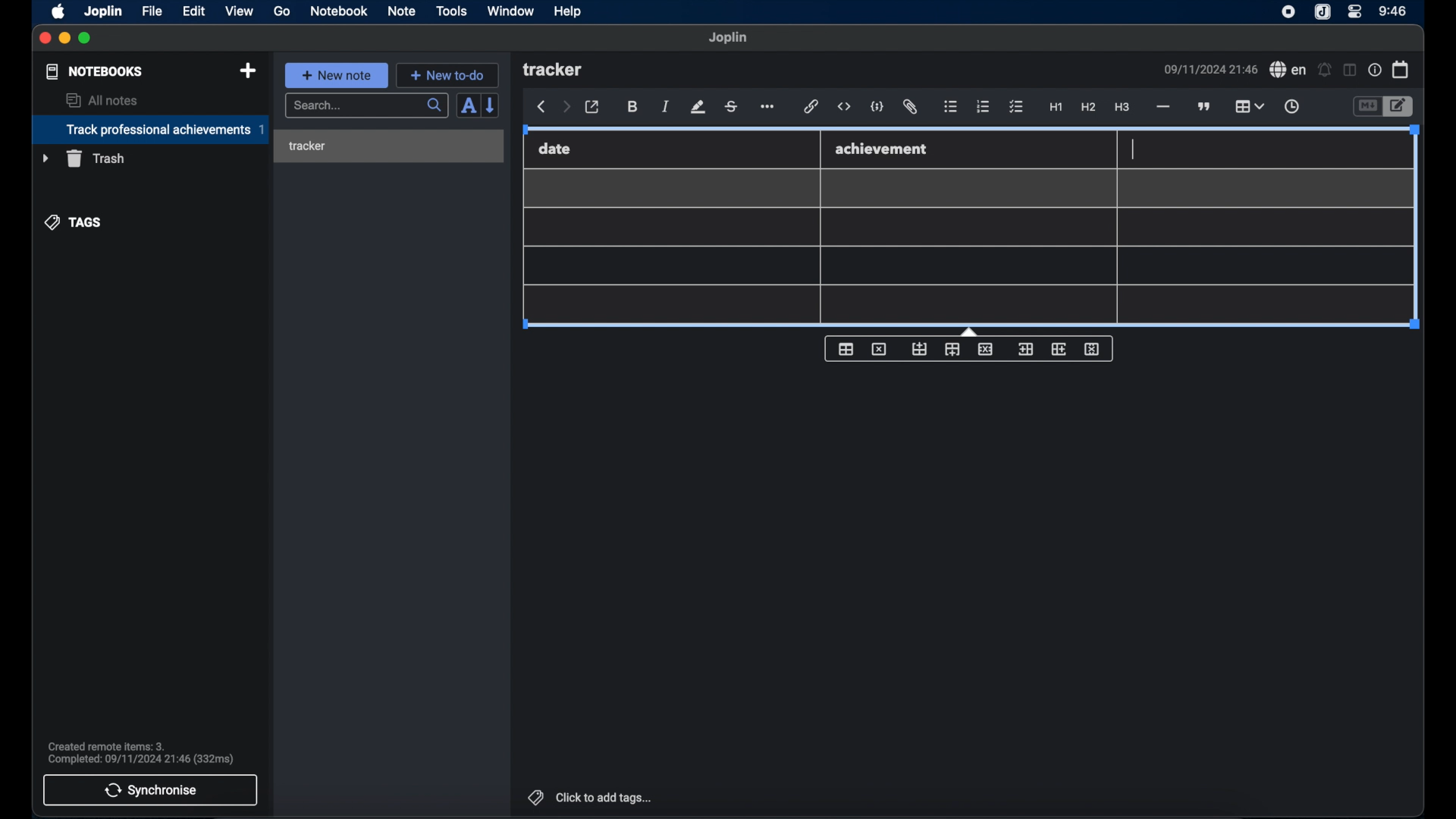  Describe the element at coordinates (1366, 106) in the screenshot. I see `toggle editor` at that location.